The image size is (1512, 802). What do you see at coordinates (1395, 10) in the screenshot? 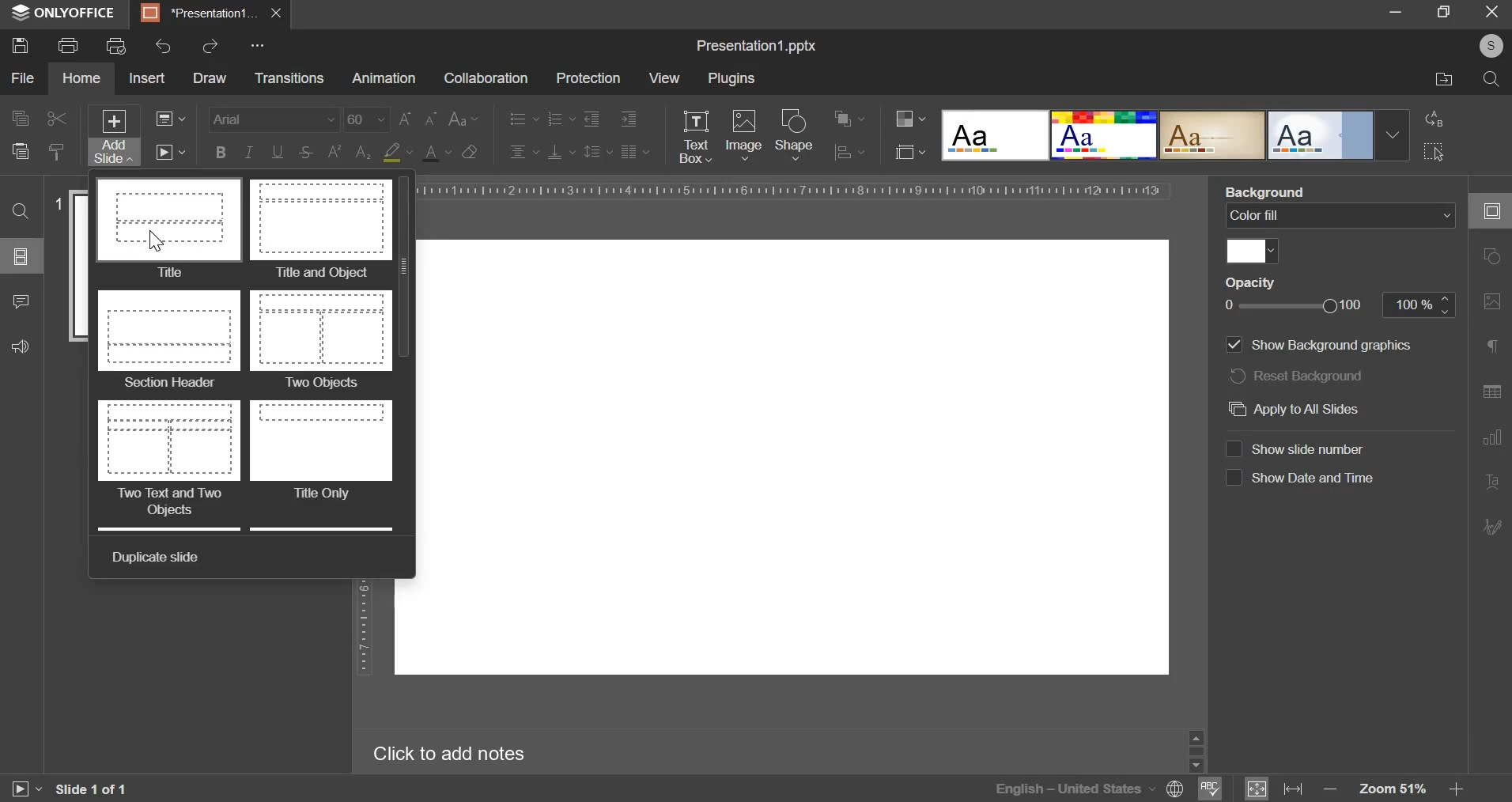
I see `minimize` at bounding box center [1395, 10].